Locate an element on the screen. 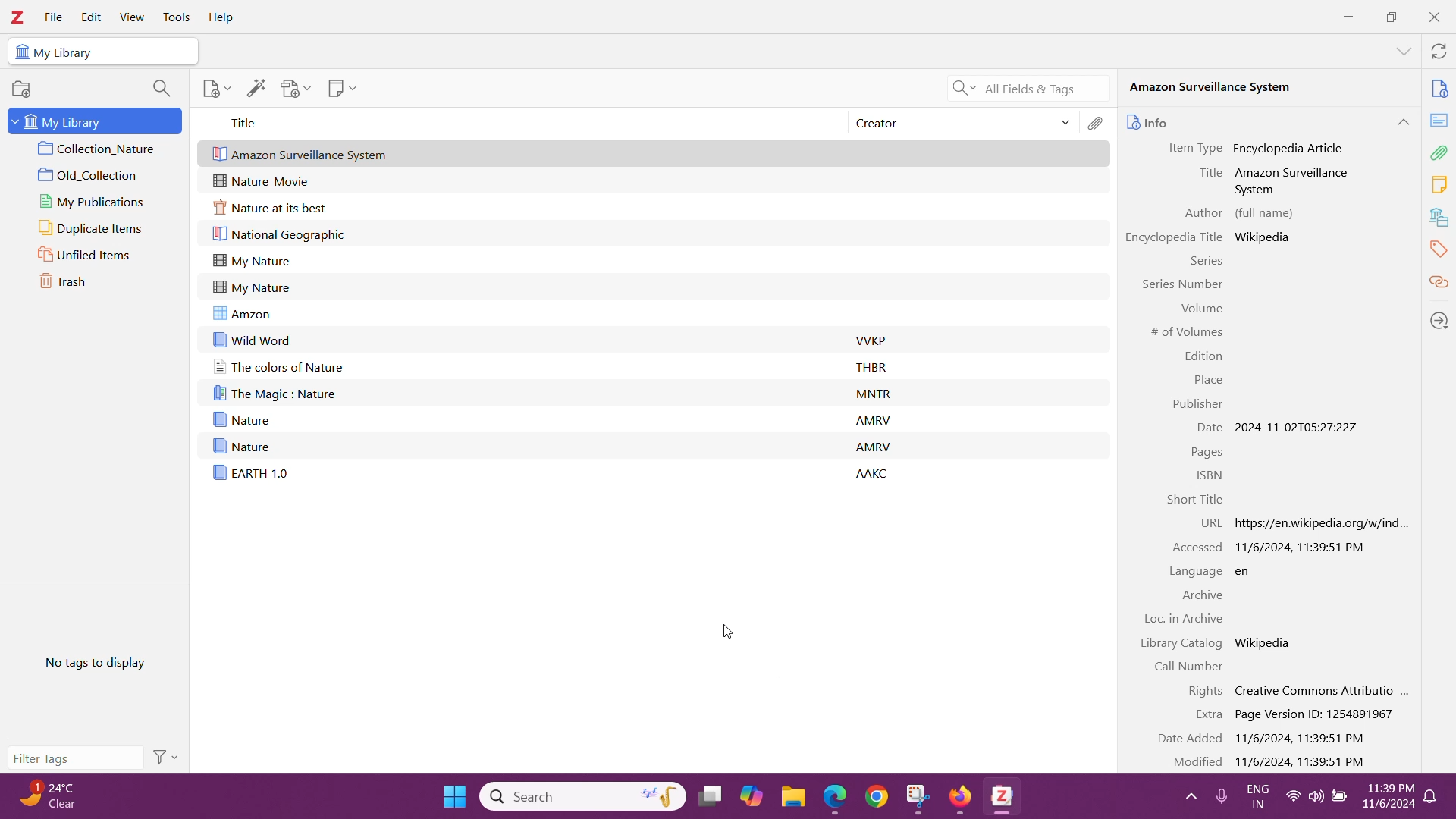  VVKP is located at coordinates (868, 338).